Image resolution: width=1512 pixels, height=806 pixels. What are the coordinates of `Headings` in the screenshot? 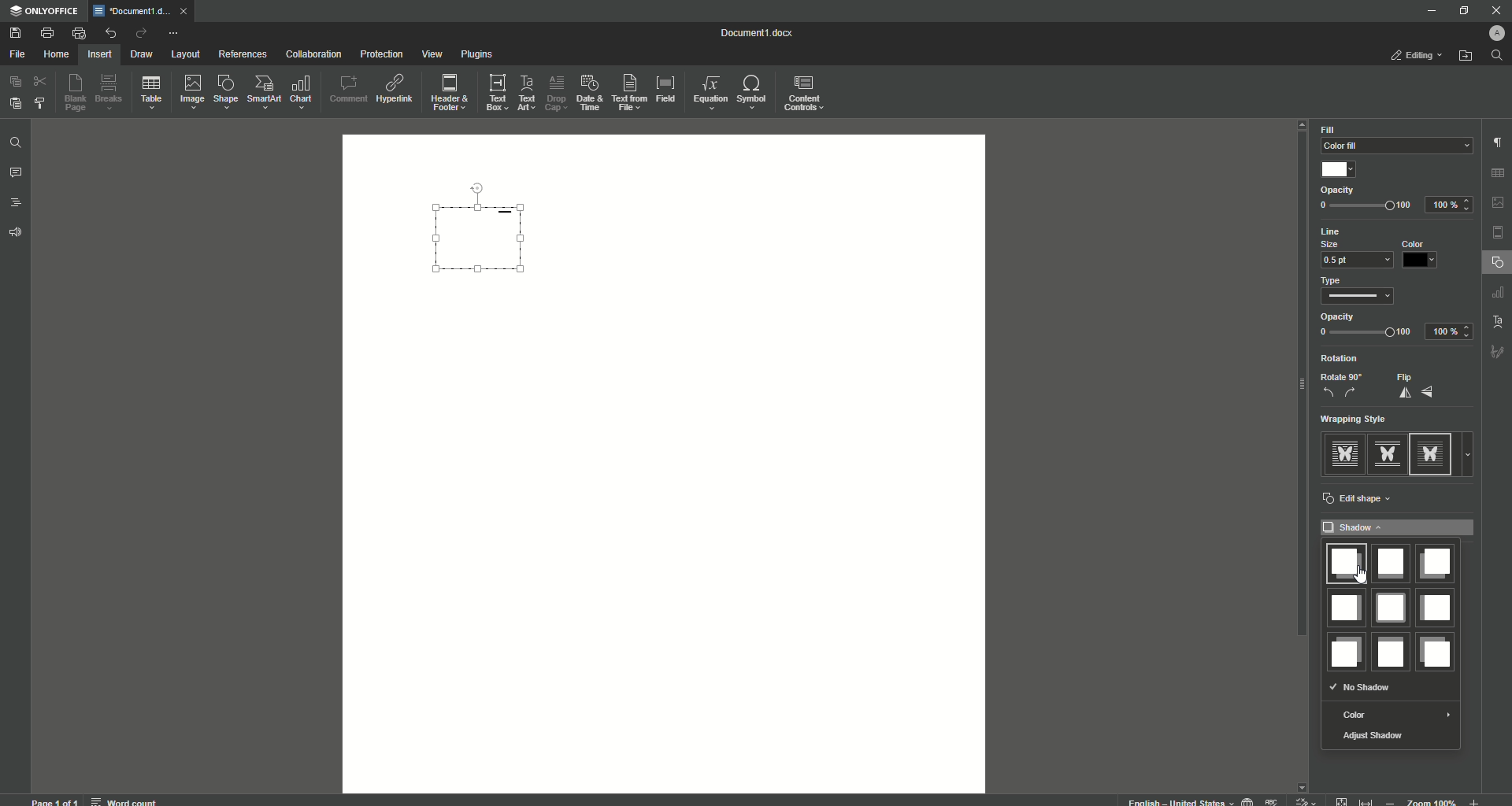 It's located at (17, 203).